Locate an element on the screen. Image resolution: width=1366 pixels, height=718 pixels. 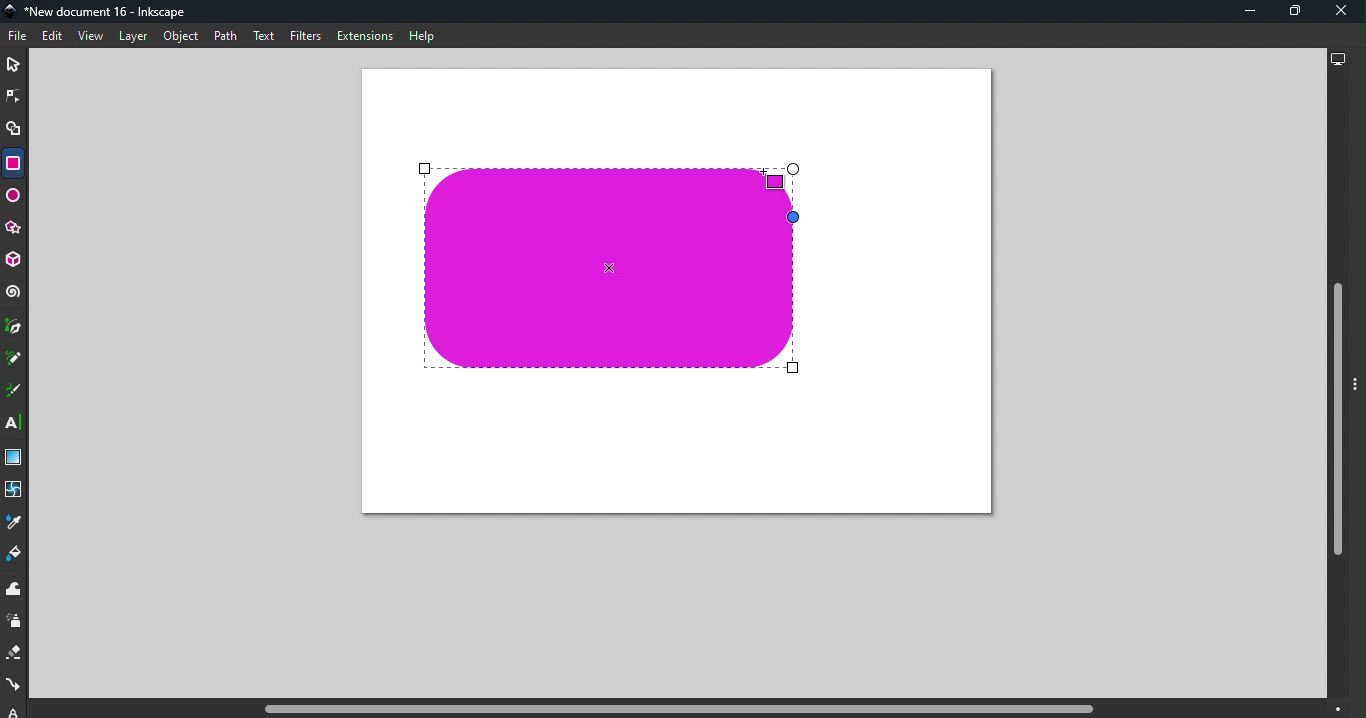
Connector tool is located at coordinates (14, 686).